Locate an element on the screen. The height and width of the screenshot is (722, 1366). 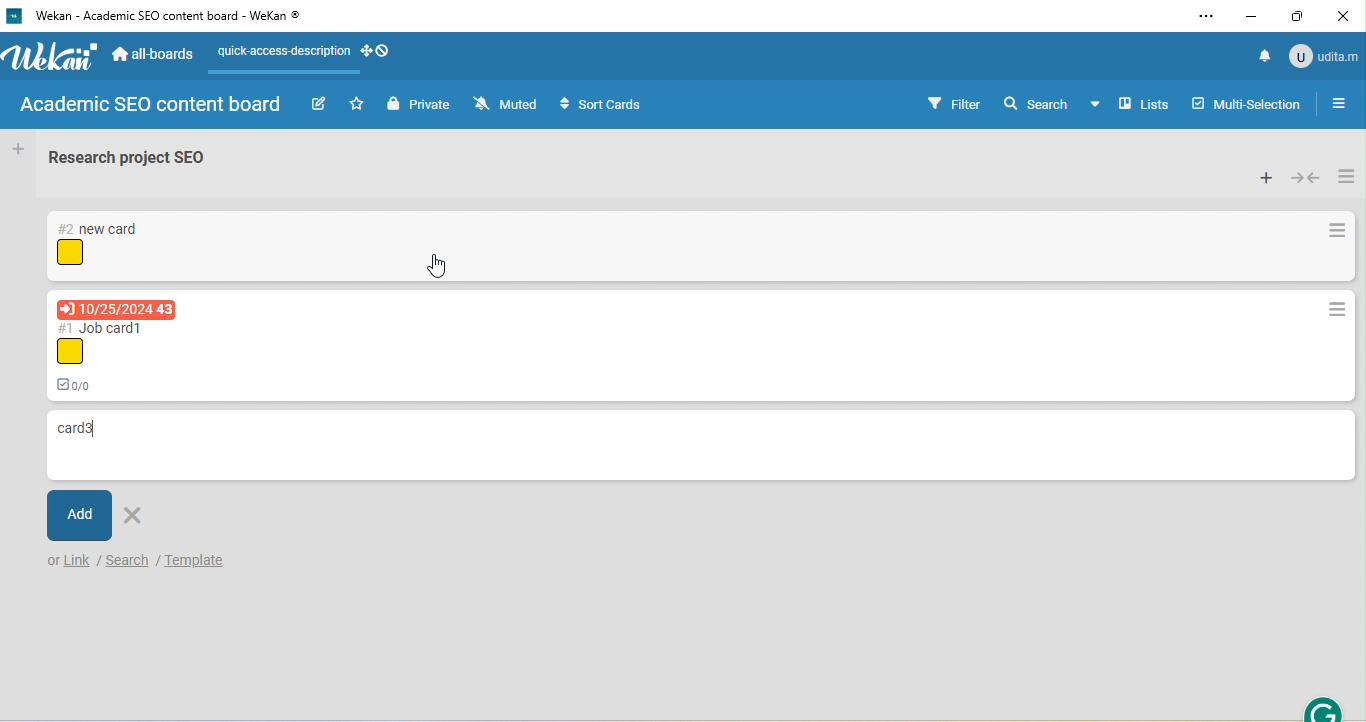
add card to top of list is located at coordinates (1265, 178).